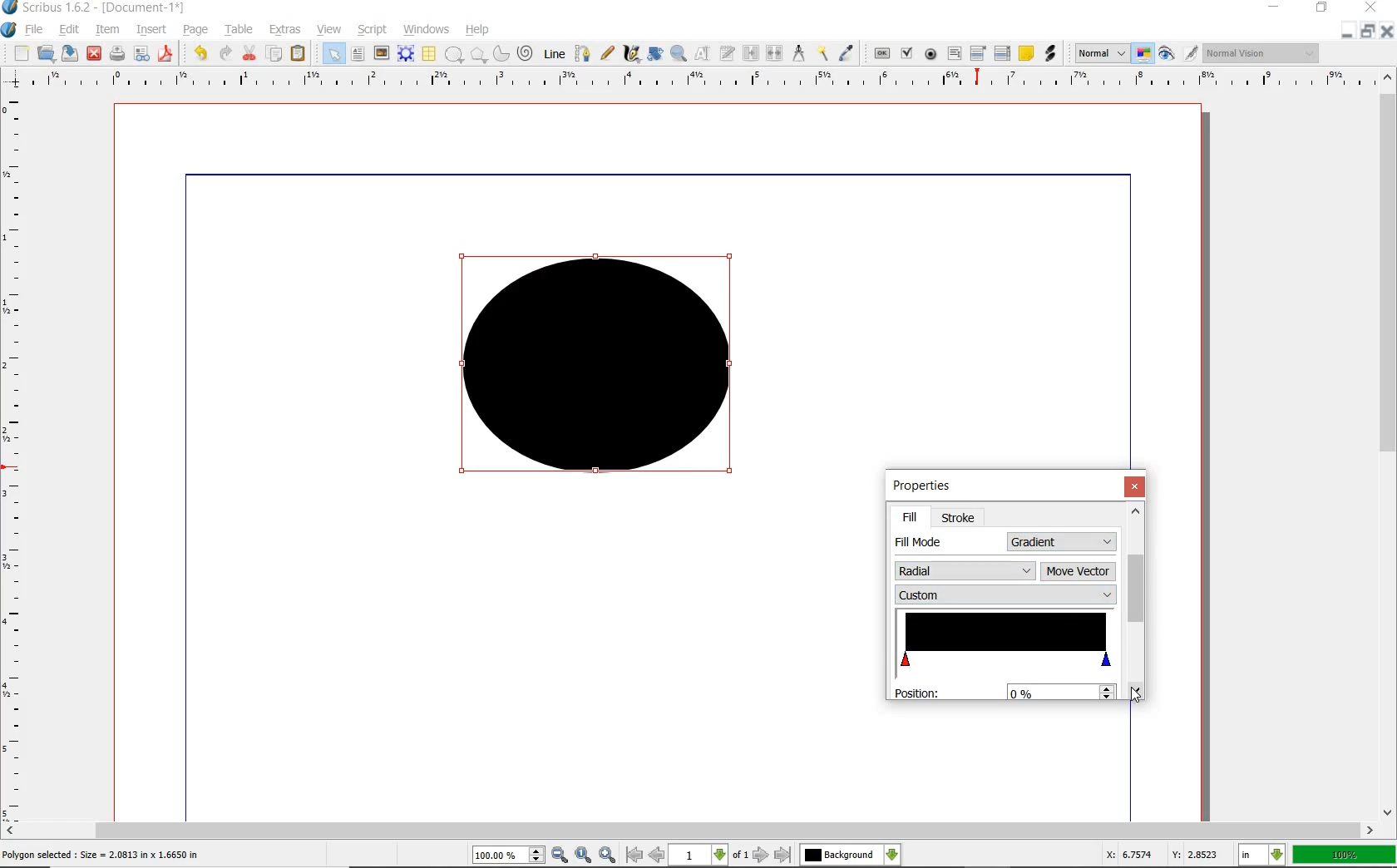 This screenshot has height=868, width=1397. What do you see at coordinates (428, 54) in the screenshot?
I see `TABLE` at bounding box center [428, 54].